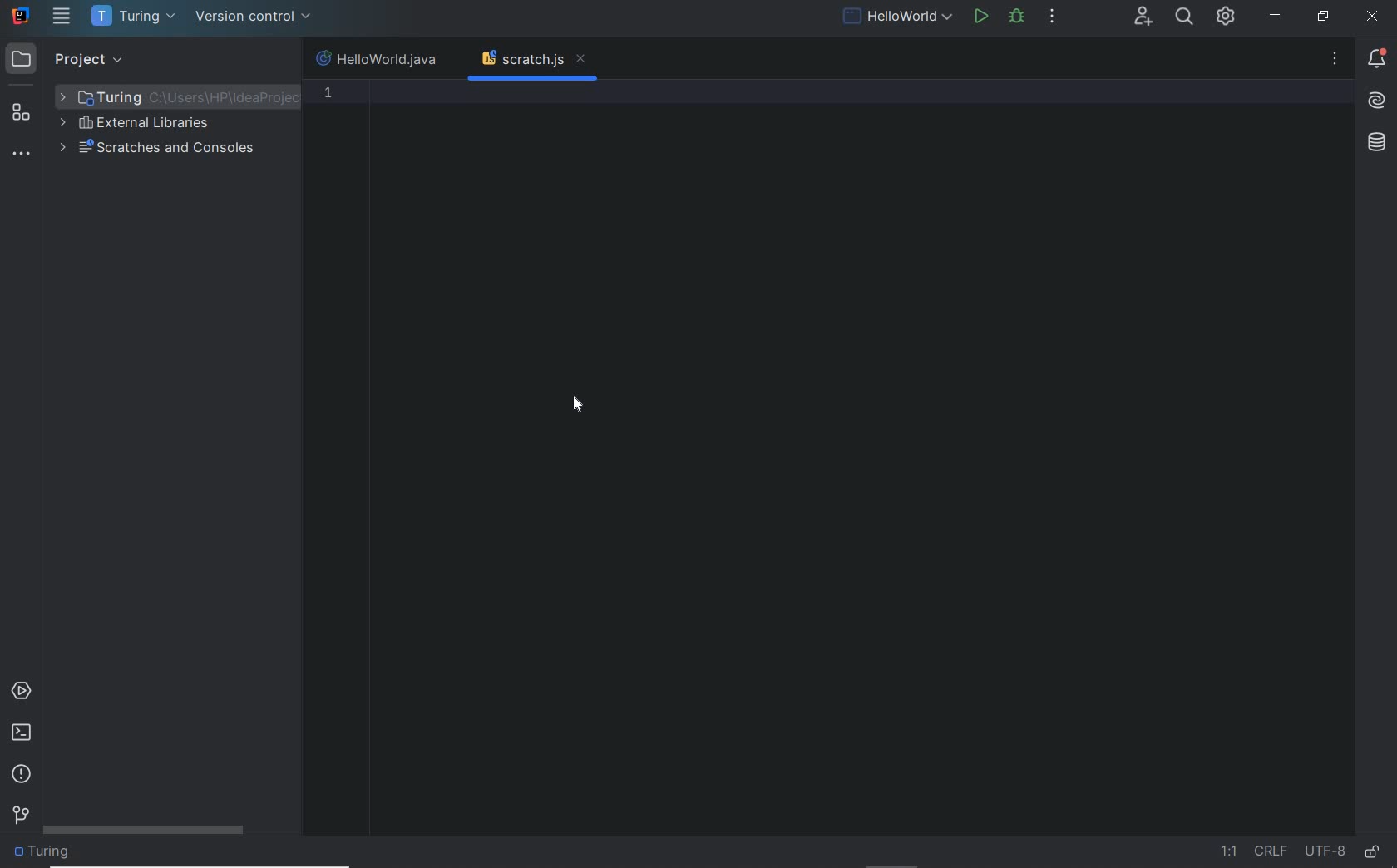 Image resolution: width=1397 pixels, height=868 pixels. What do you see at coordinates (1185, 18) in the screenshot?
I see `search everywhere` at bounding box center [1185, 18].